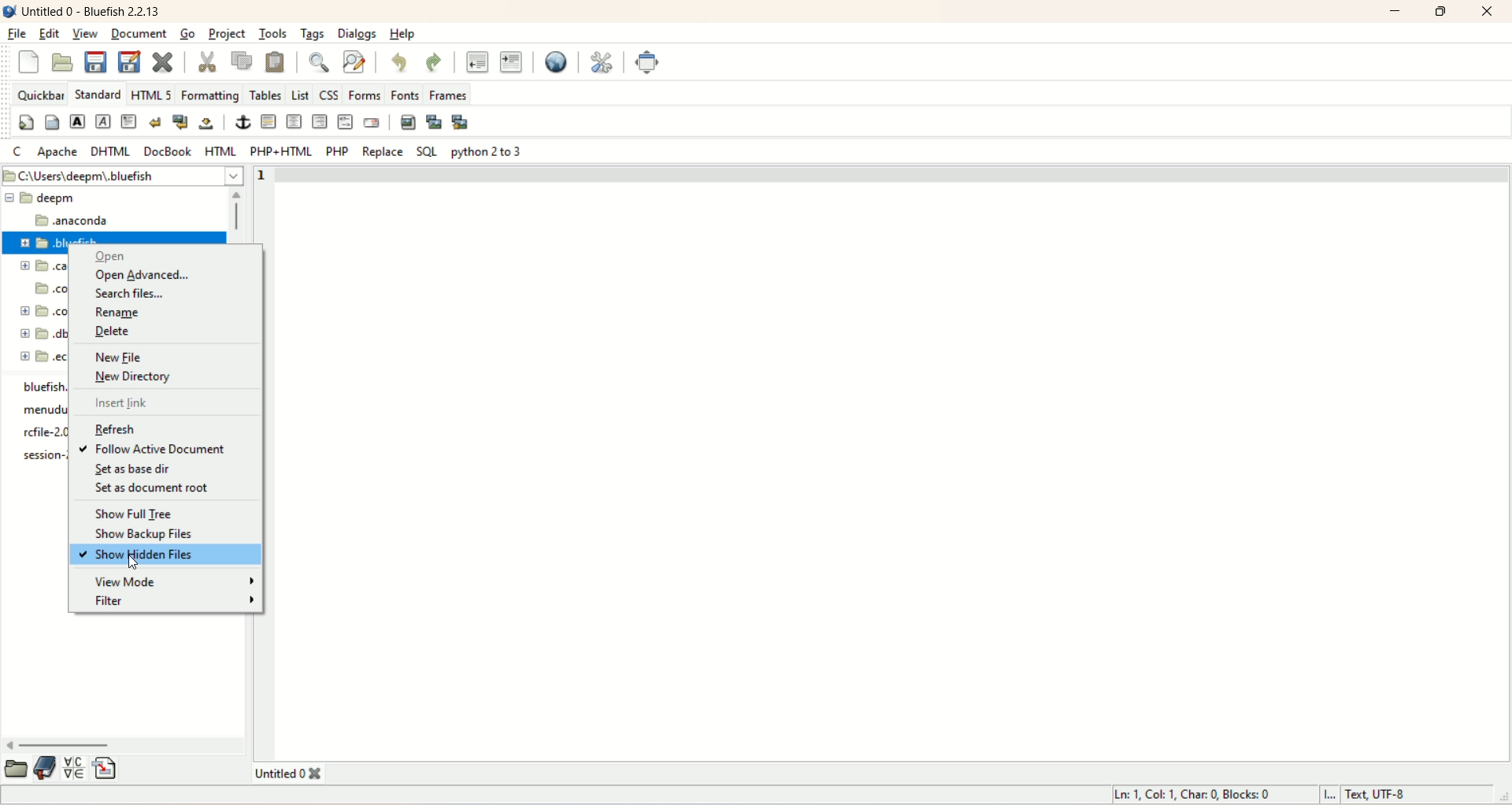  Describe the element at coordinates (111, 150) in the screenshot. I see `DHTML` at that location.